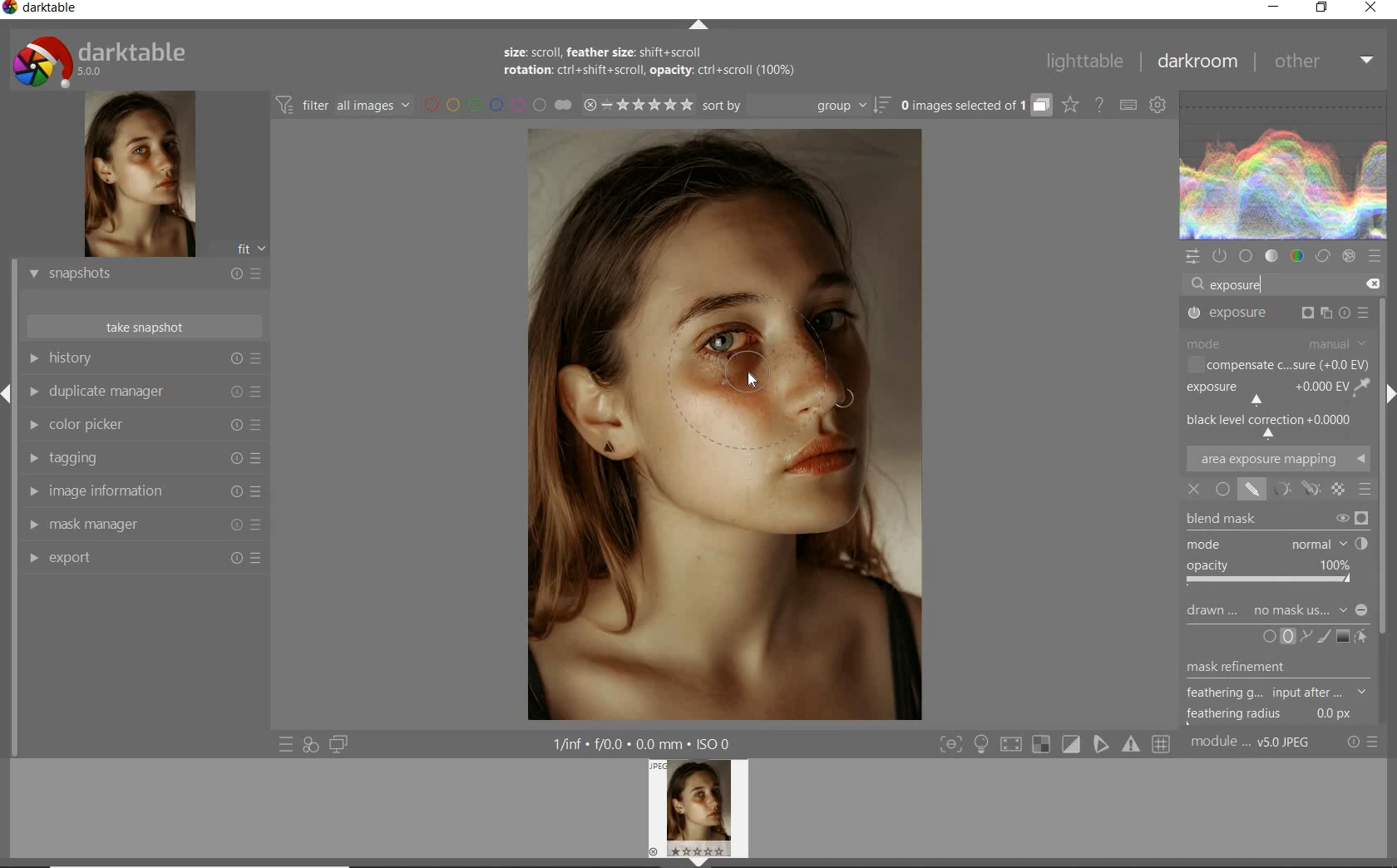 This screenshot has width=1397, height=868. What do you see at coordinates (1261, 393) in the screenshot?
I see `EXPOSURE` at bounding box center [1261, 393].